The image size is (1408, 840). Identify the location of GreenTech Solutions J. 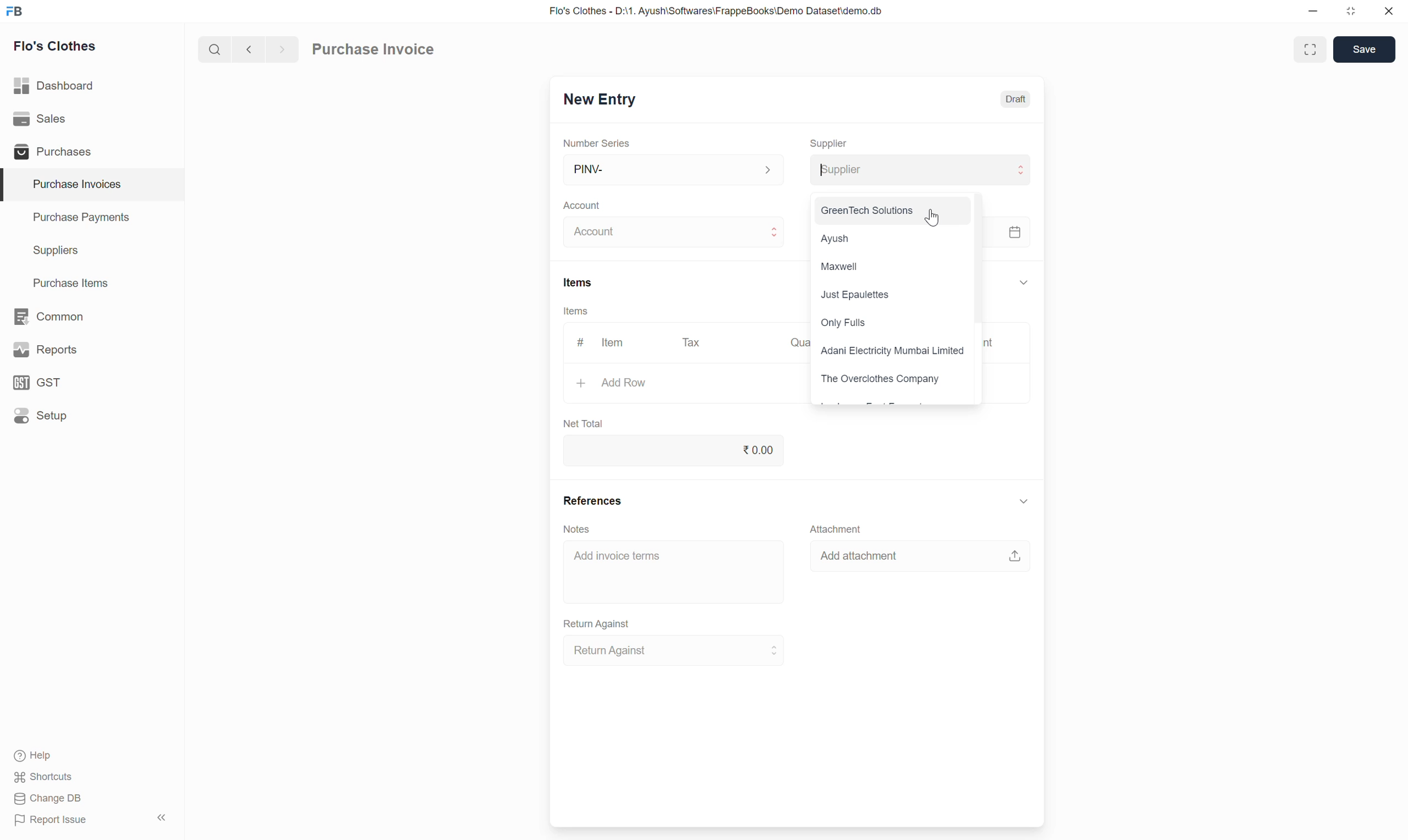
(892, 213).